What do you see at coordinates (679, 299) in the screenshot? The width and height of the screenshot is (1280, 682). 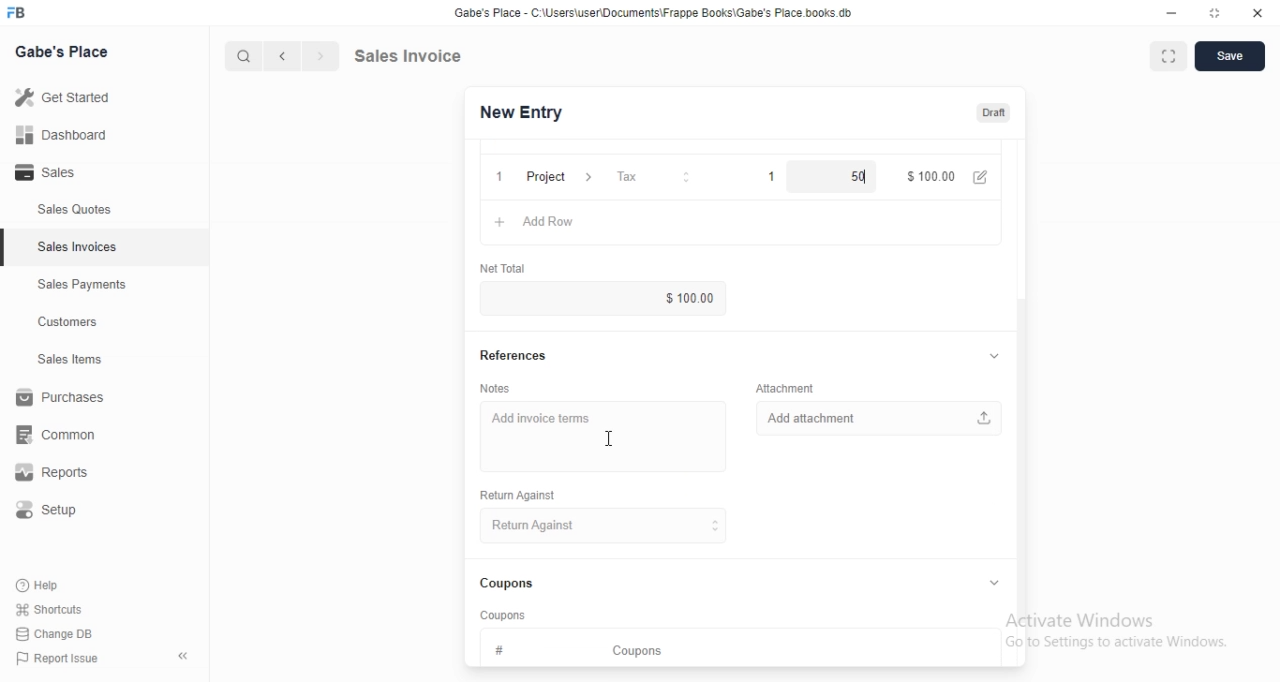 I see `$100.00` at bounding box center [679, 299].